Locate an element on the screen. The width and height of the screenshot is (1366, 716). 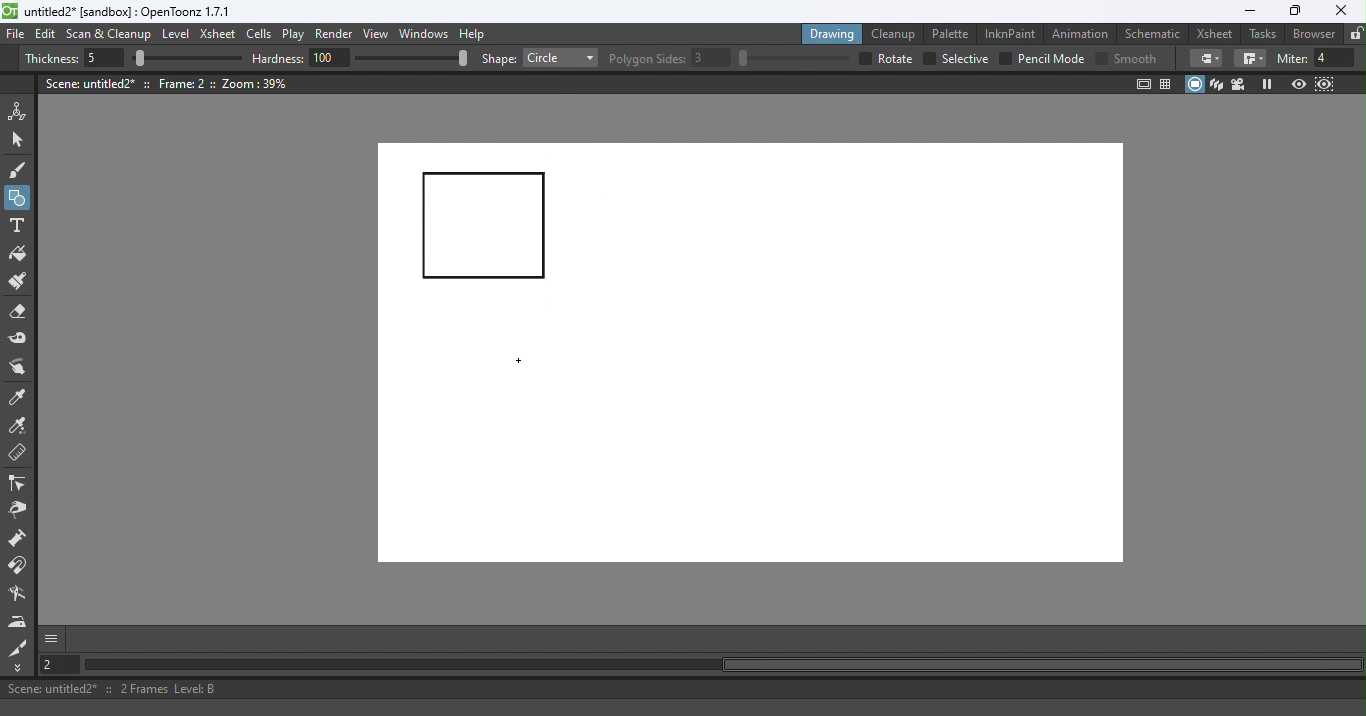
Cells is located at coordinates (262, 35).